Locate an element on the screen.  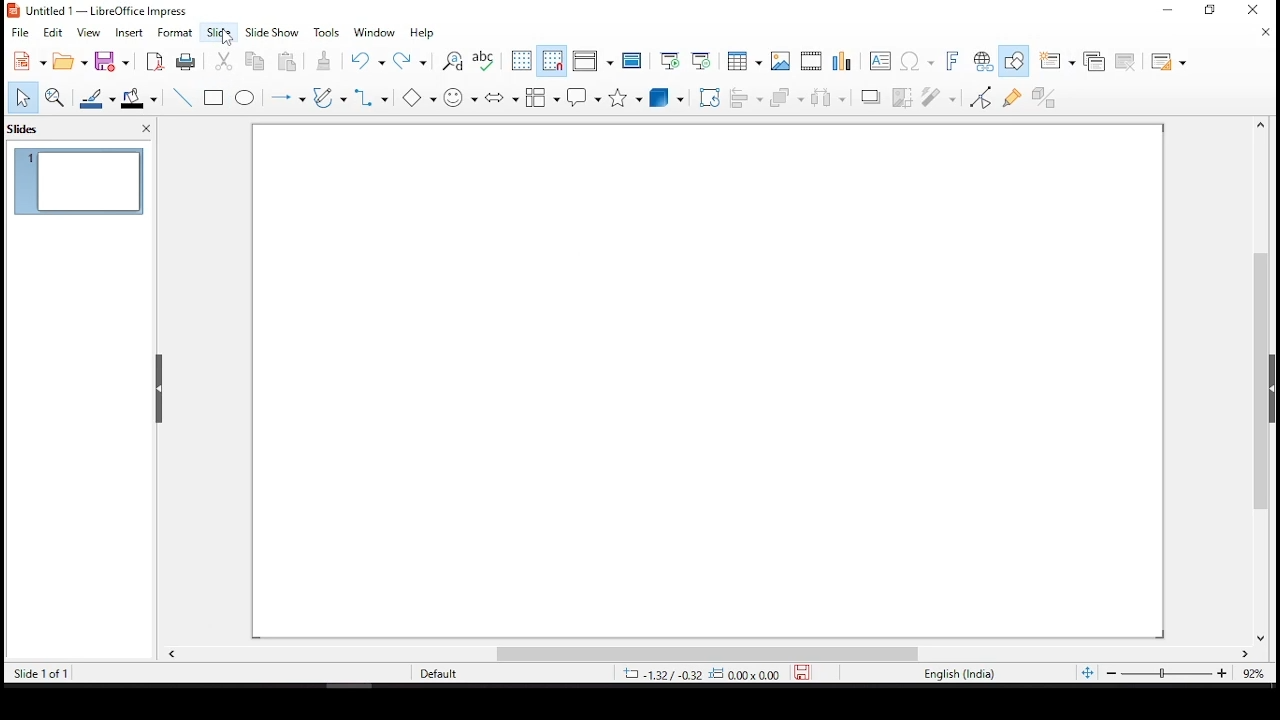
insert hyperlink is located at coordinates (984, 60).